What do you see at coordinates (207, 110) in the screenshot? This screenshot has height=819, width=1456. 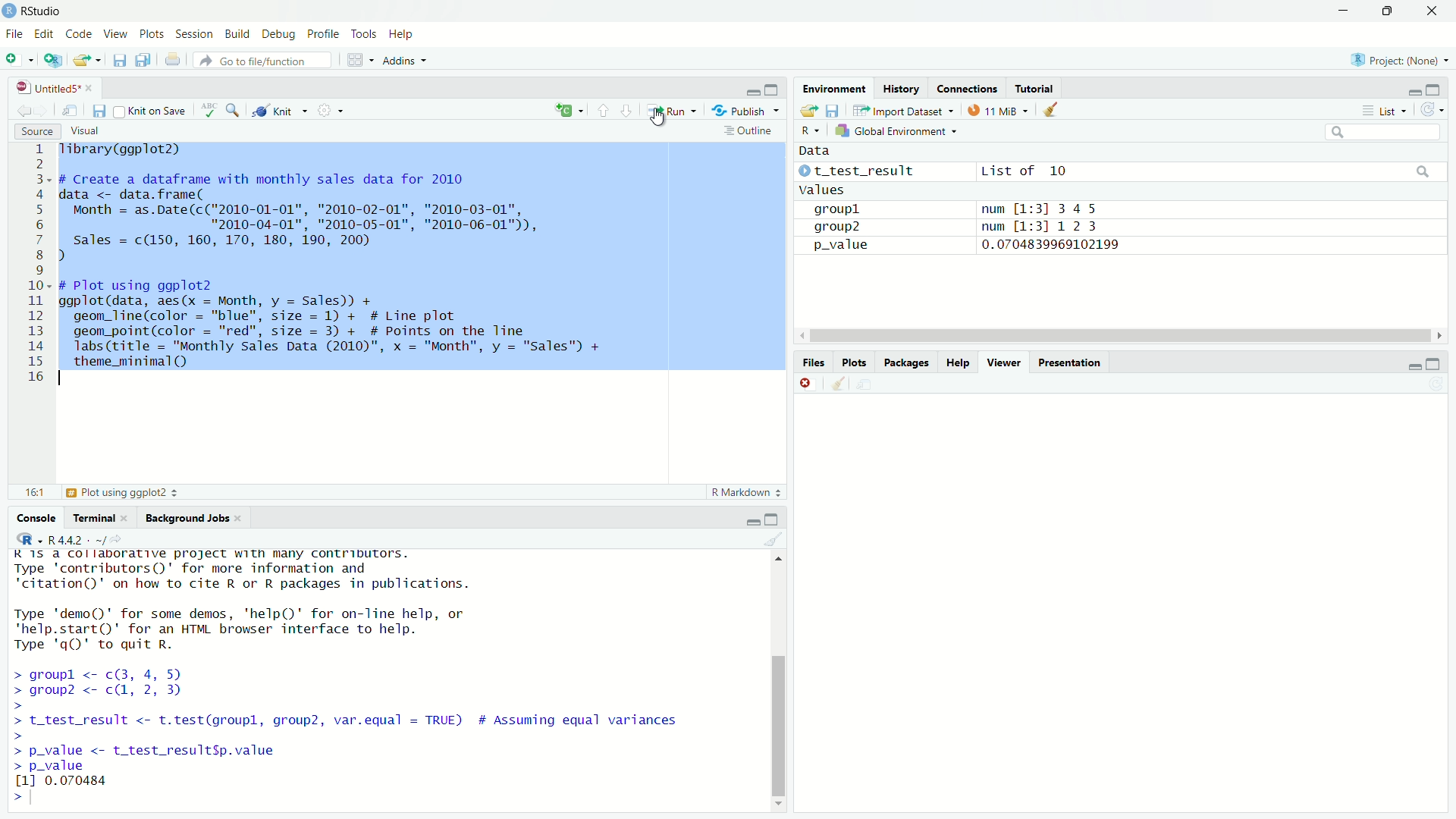 I see `check` at bounding box center [207, 110].